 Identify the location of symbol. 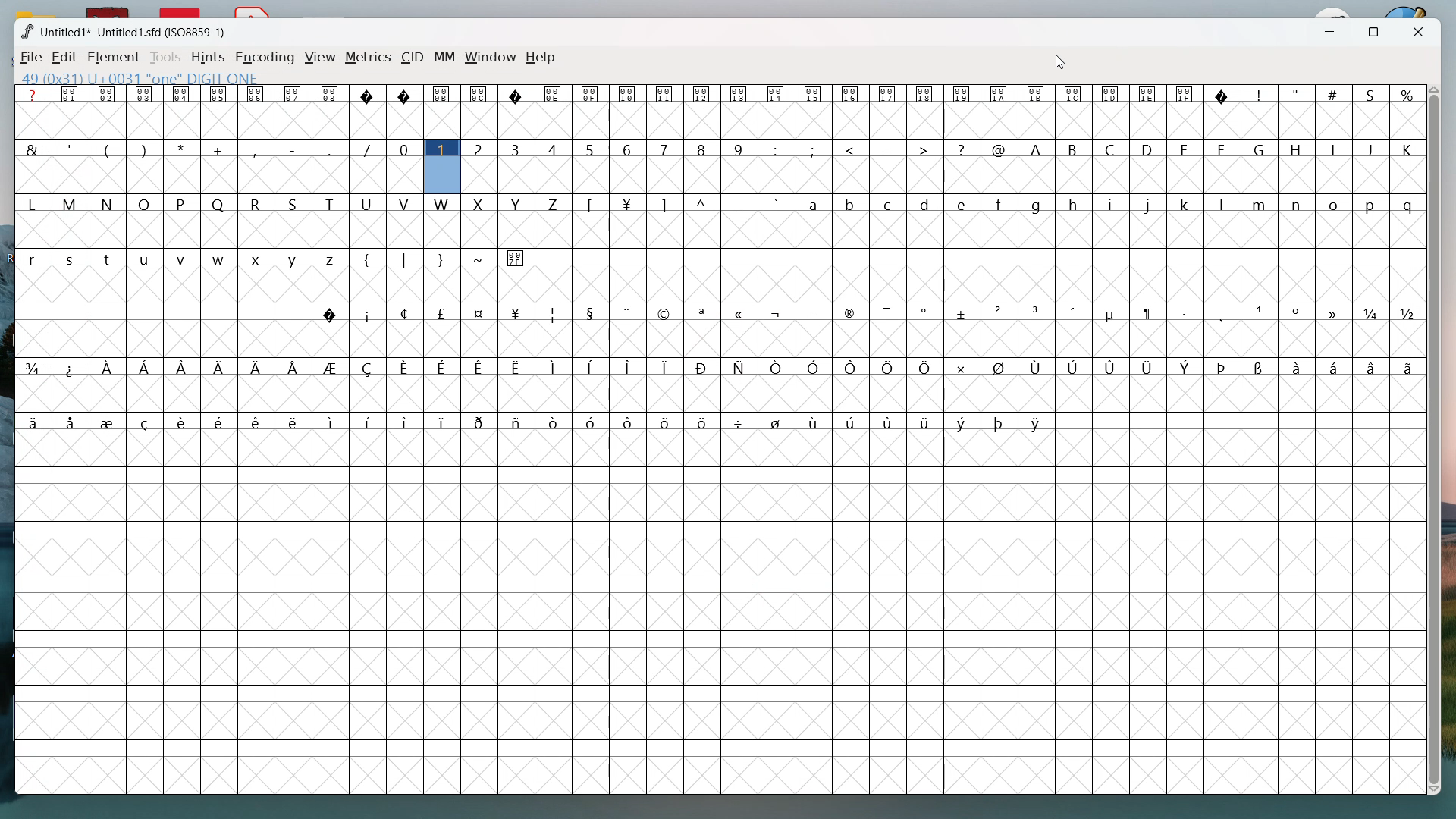
(740, 312).